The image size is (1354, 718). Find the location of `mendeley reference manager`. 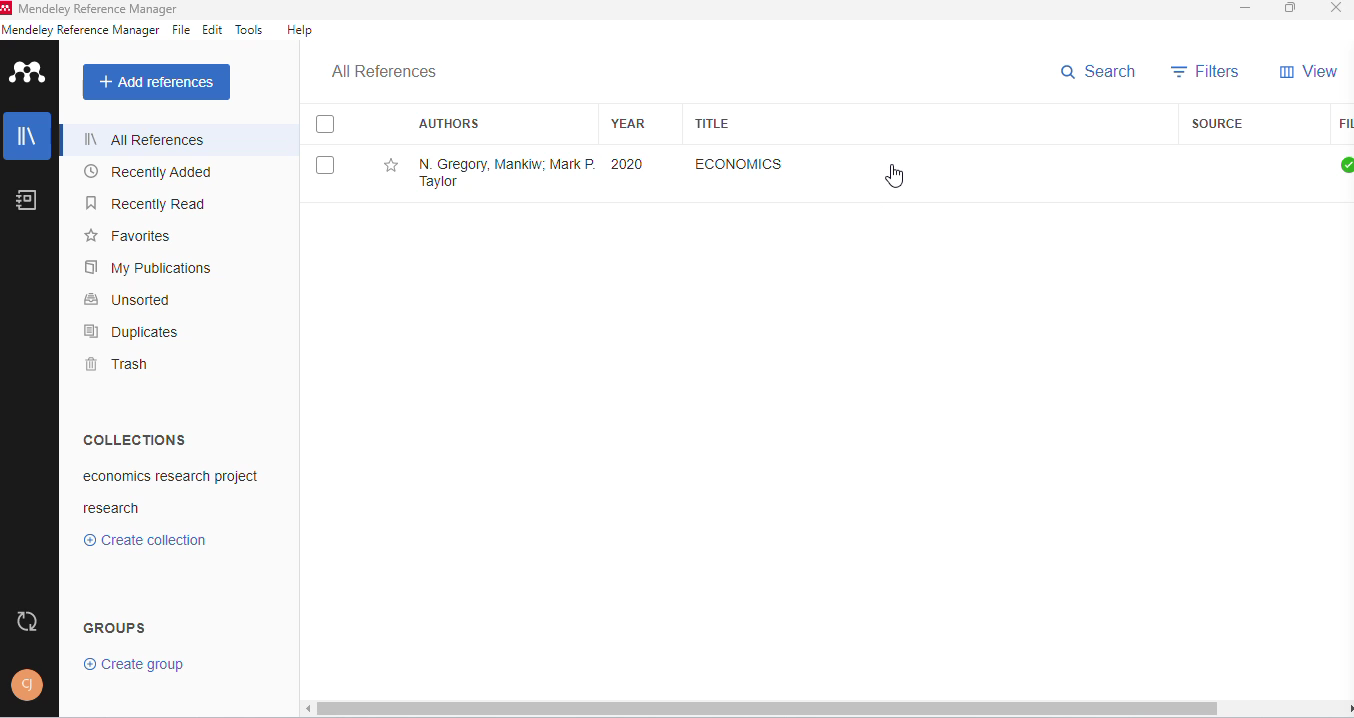

mendeley reference manager is located at coordinates (101, 9).